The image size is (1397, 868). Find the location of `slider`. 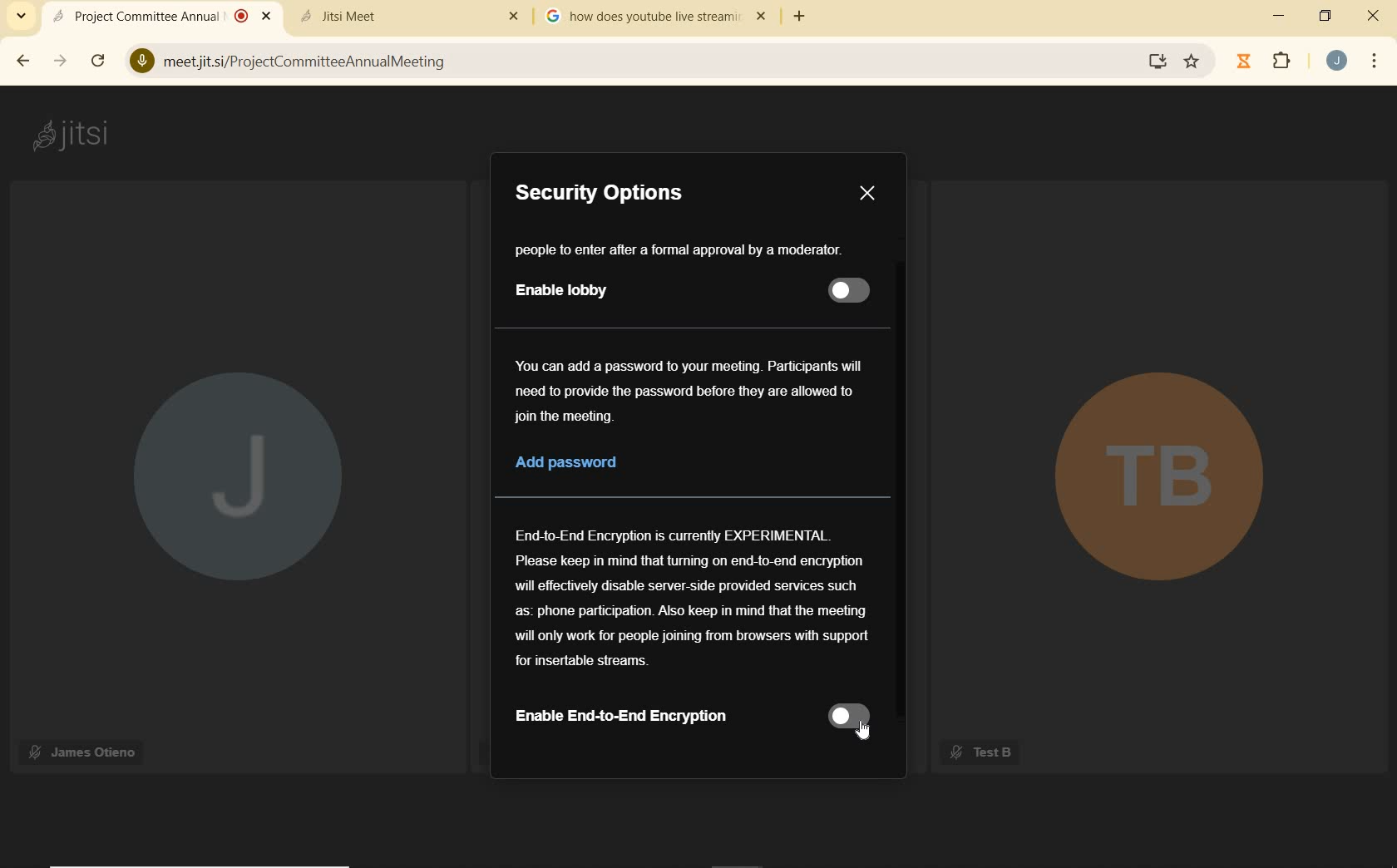

slider is located at coordinates (853, 717).